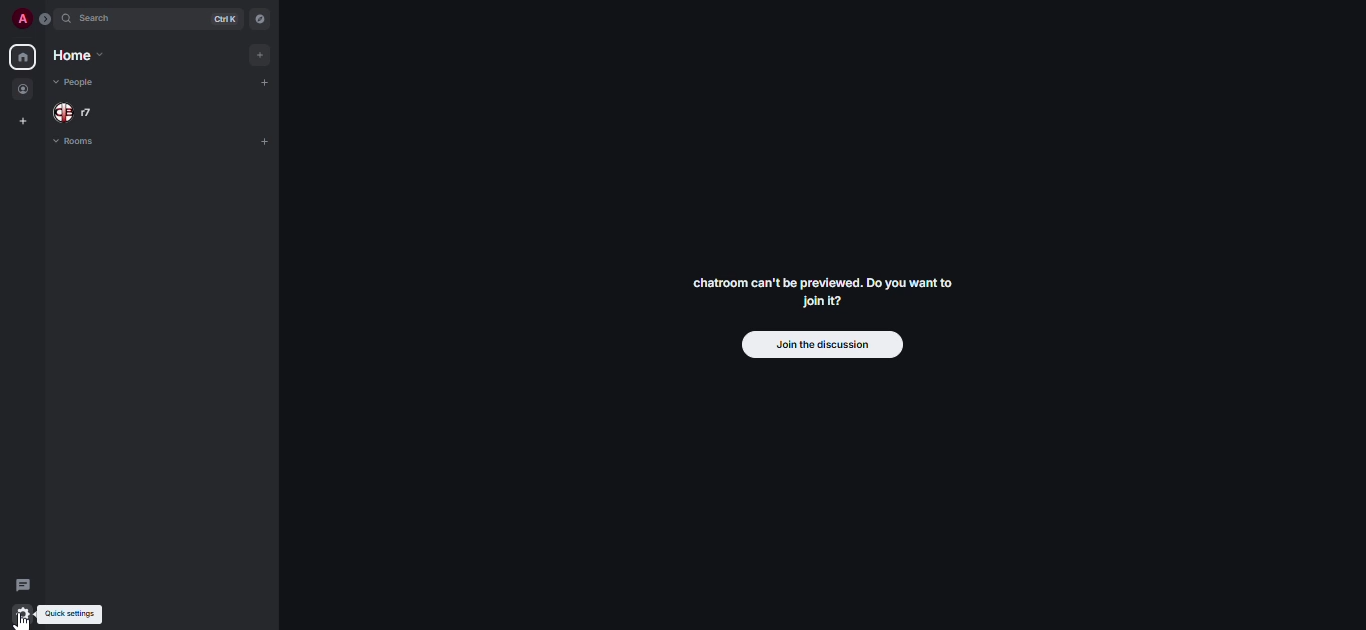 This screenshot has height=630, width=1366. What do you see at coordinates (220, 19) in the screenshot?
I see `ctrl K` at bounding box center [220, 19].